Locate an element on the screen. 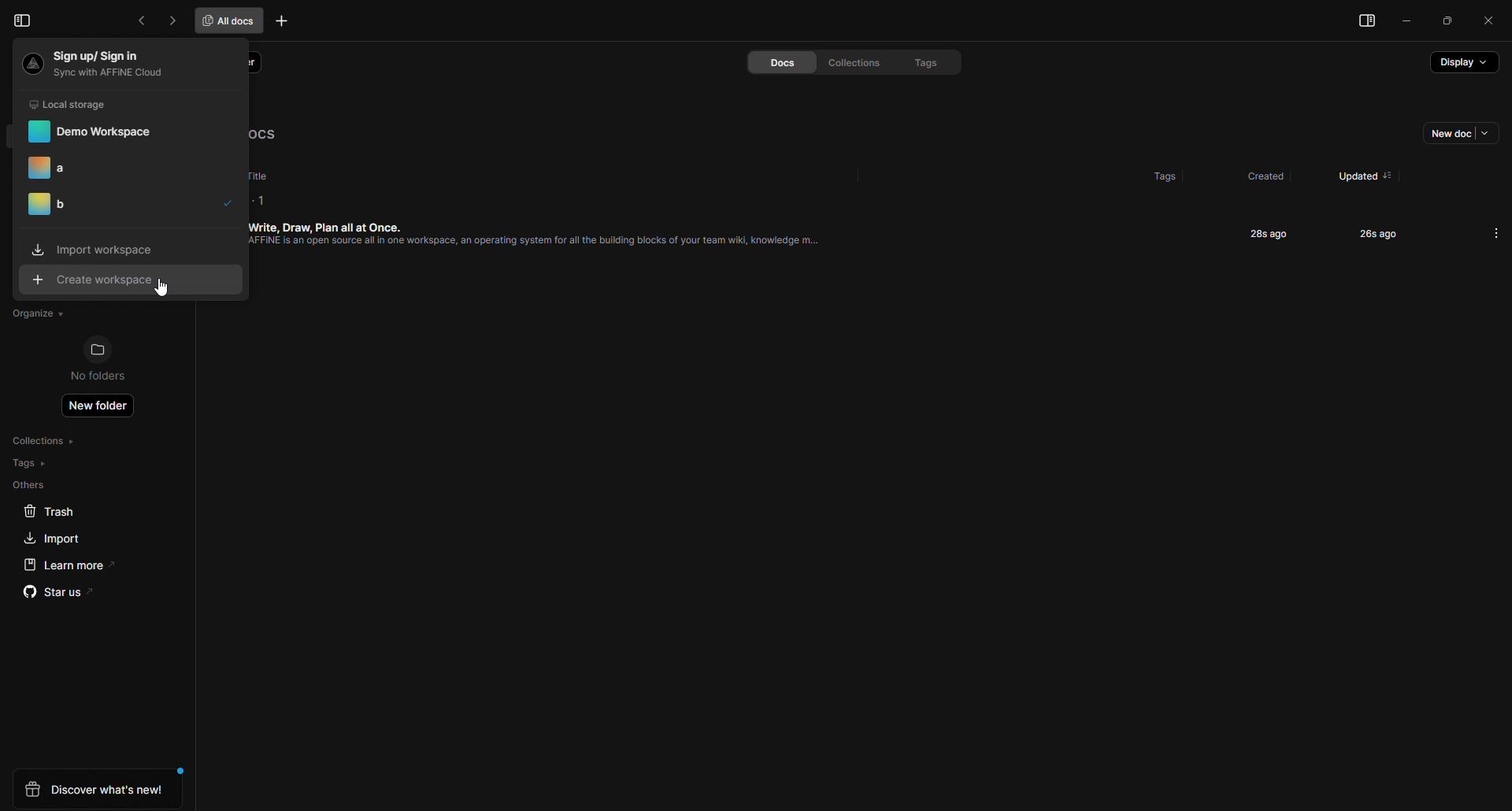 This screenshot has height=811, width=1512. display is located at coordinates (1462, 67).